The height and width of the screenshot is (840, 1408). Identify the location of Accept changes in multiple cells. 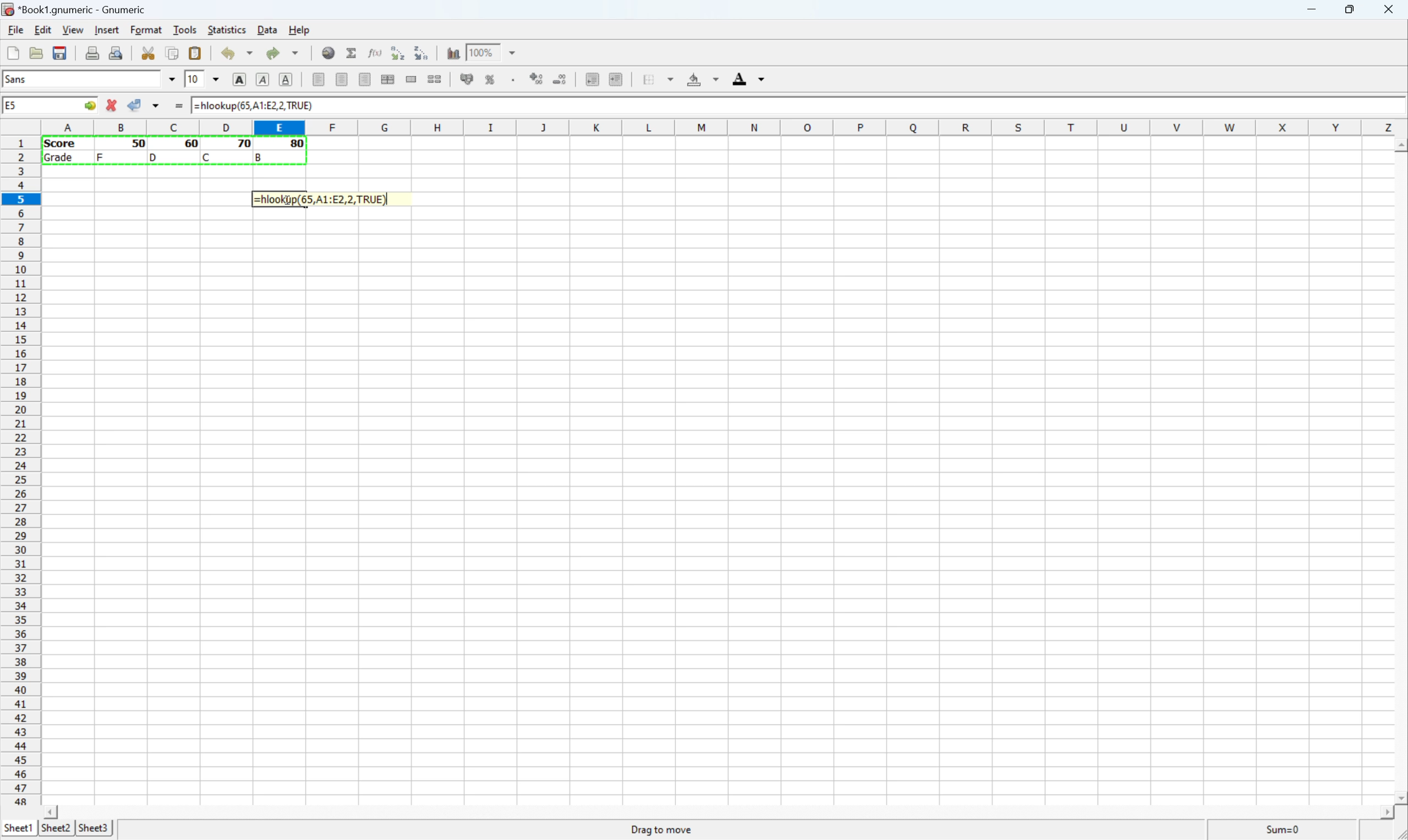
(159, 108).